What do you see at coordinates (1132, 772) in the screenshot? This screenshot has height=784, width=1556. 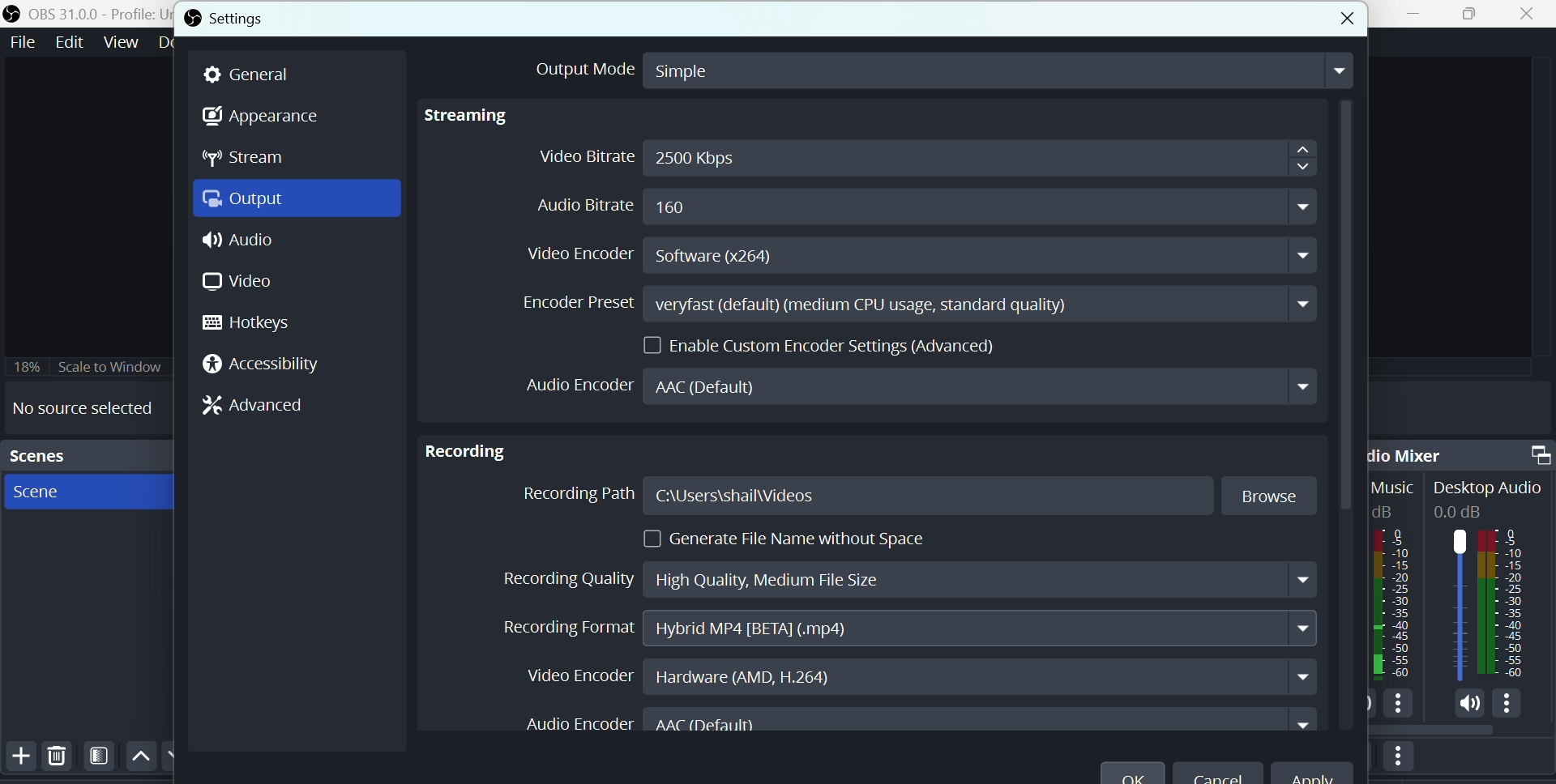 I see `O K` at bounding box center [1132, 772].